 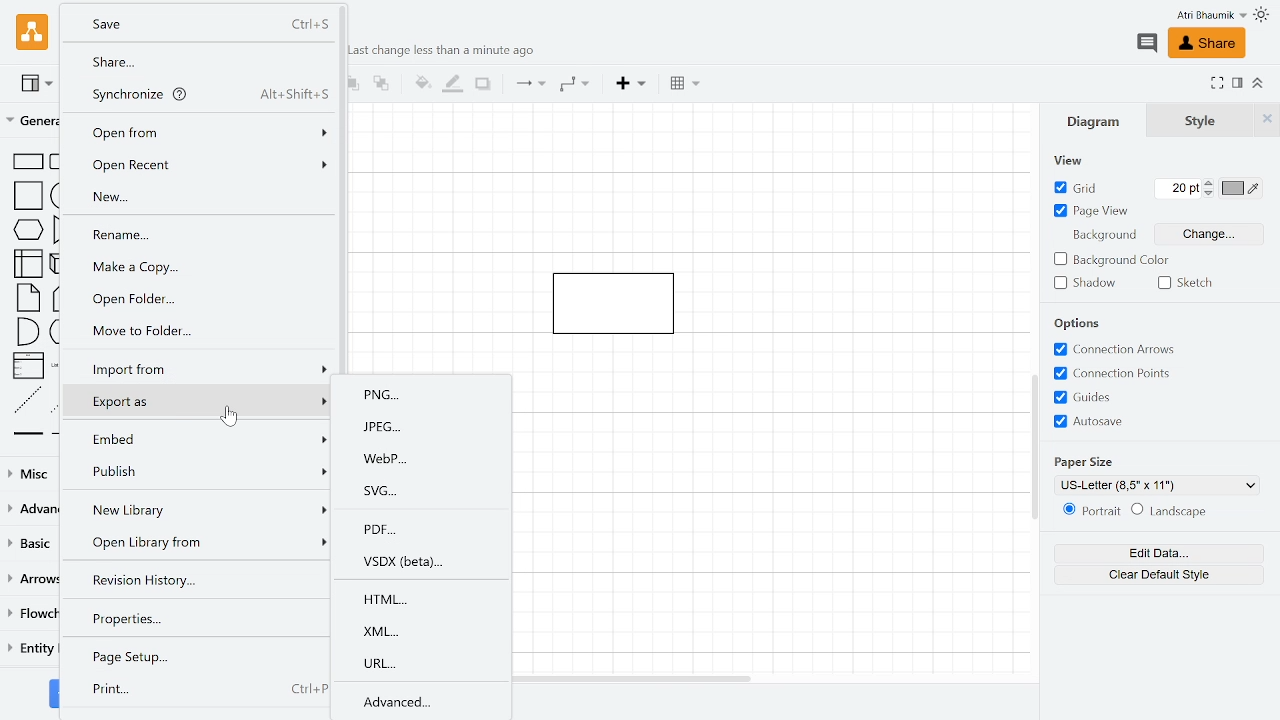 I want to click on Shadow, so click(x=483, y=84).